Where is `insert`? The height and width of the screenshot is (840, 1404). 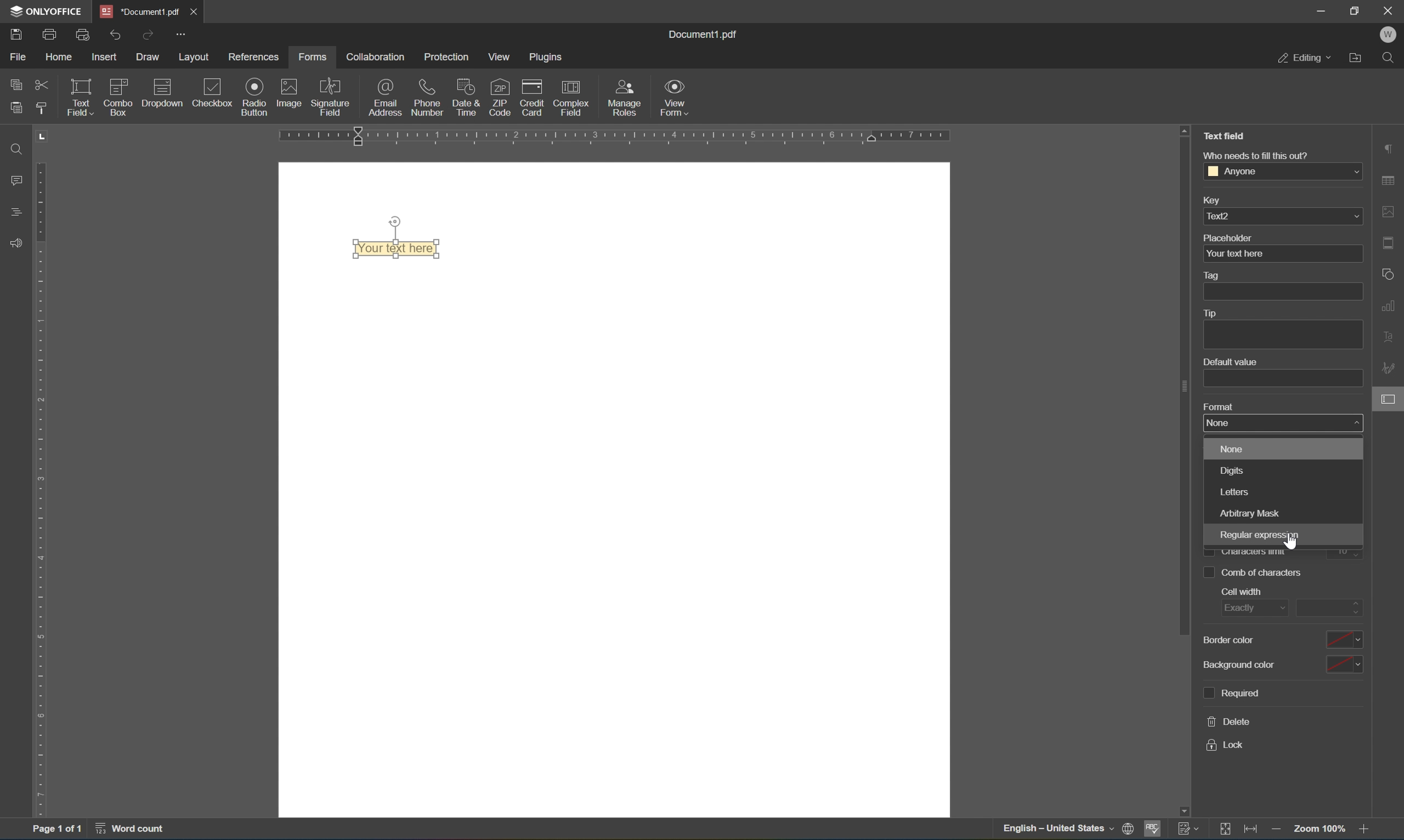
insert is located at coordinates (105, 54).